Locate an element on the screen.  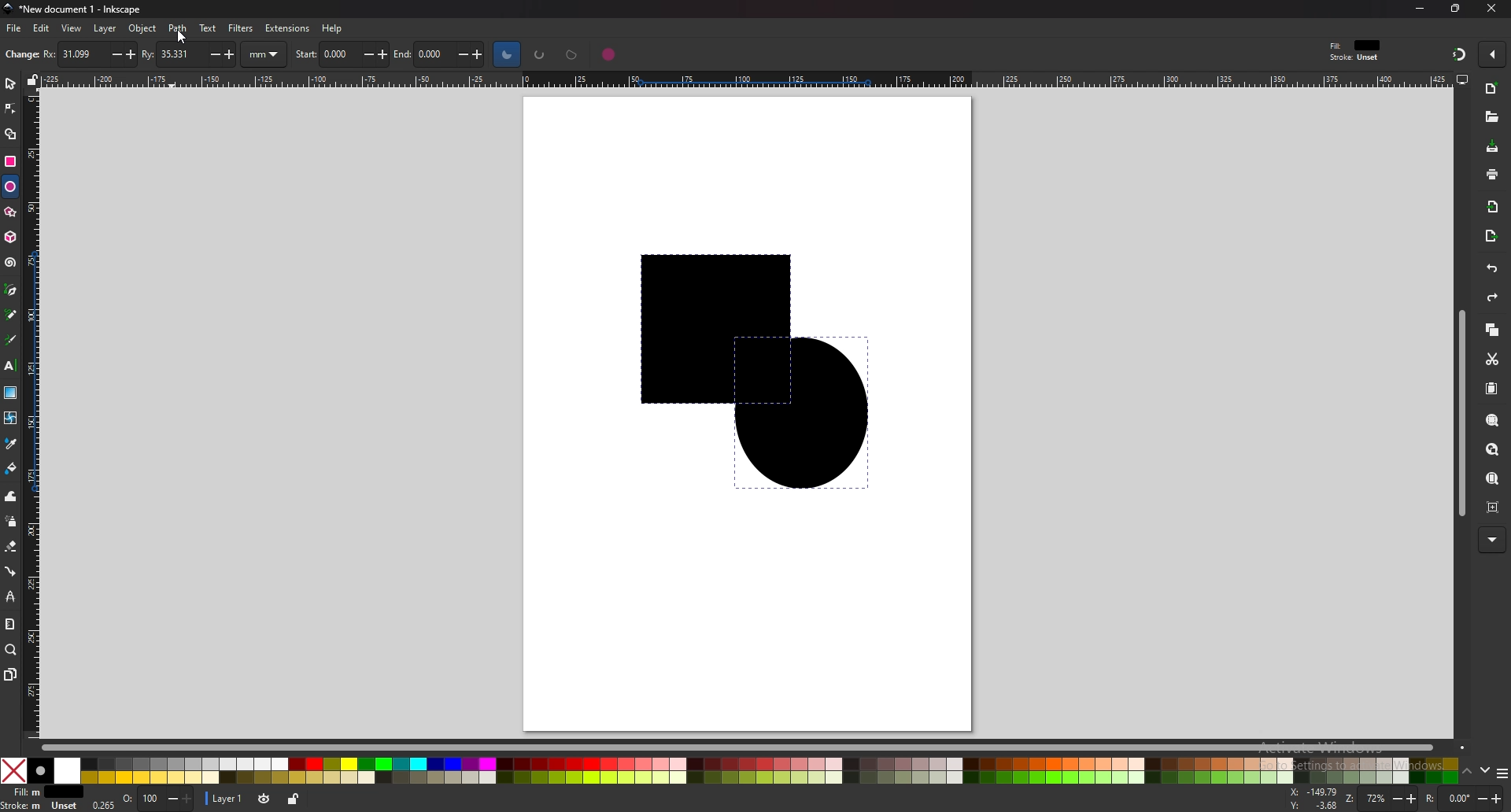
mm is located at coordinates (266, 54).